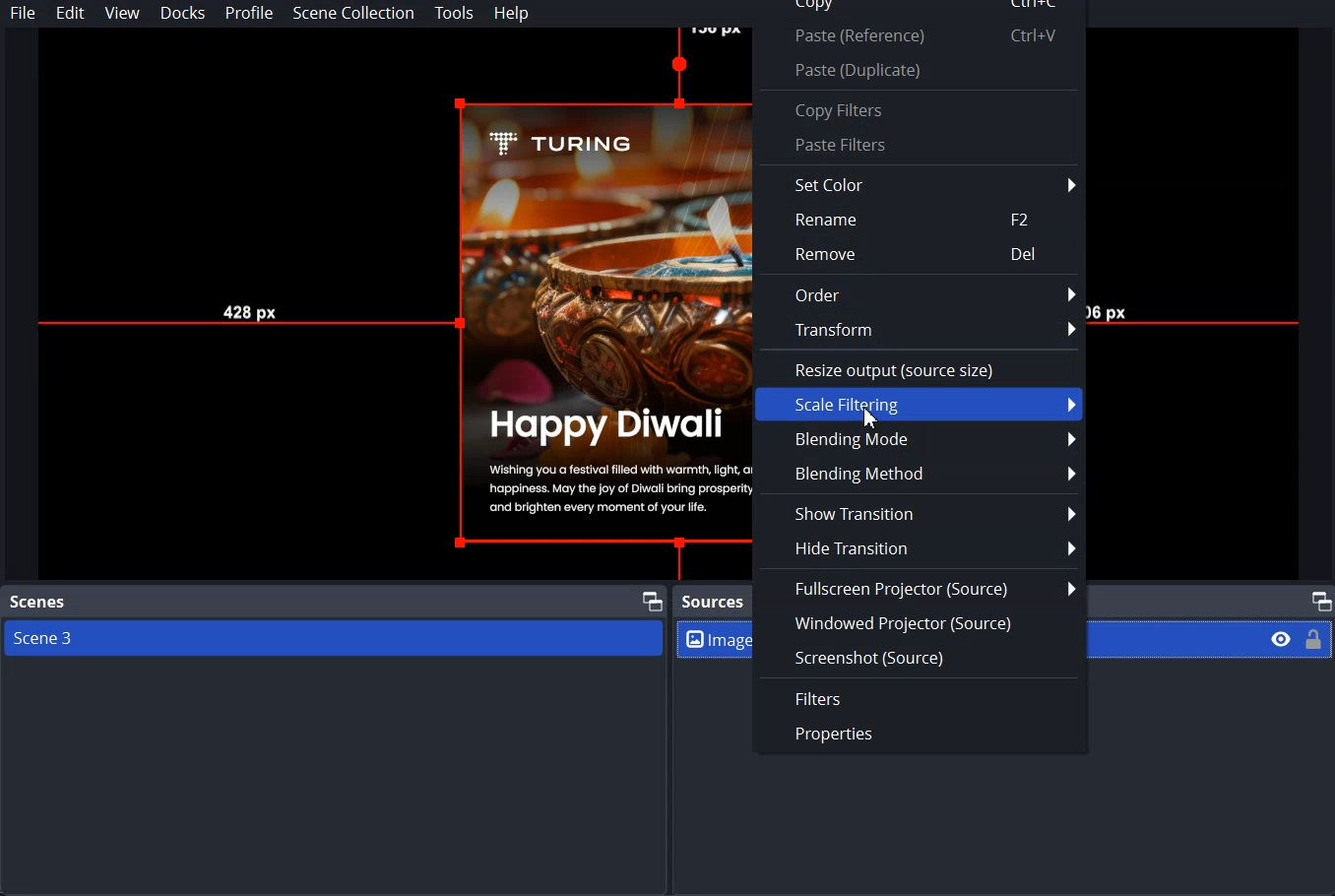  I want to click on Set colour, so click(920, 183).